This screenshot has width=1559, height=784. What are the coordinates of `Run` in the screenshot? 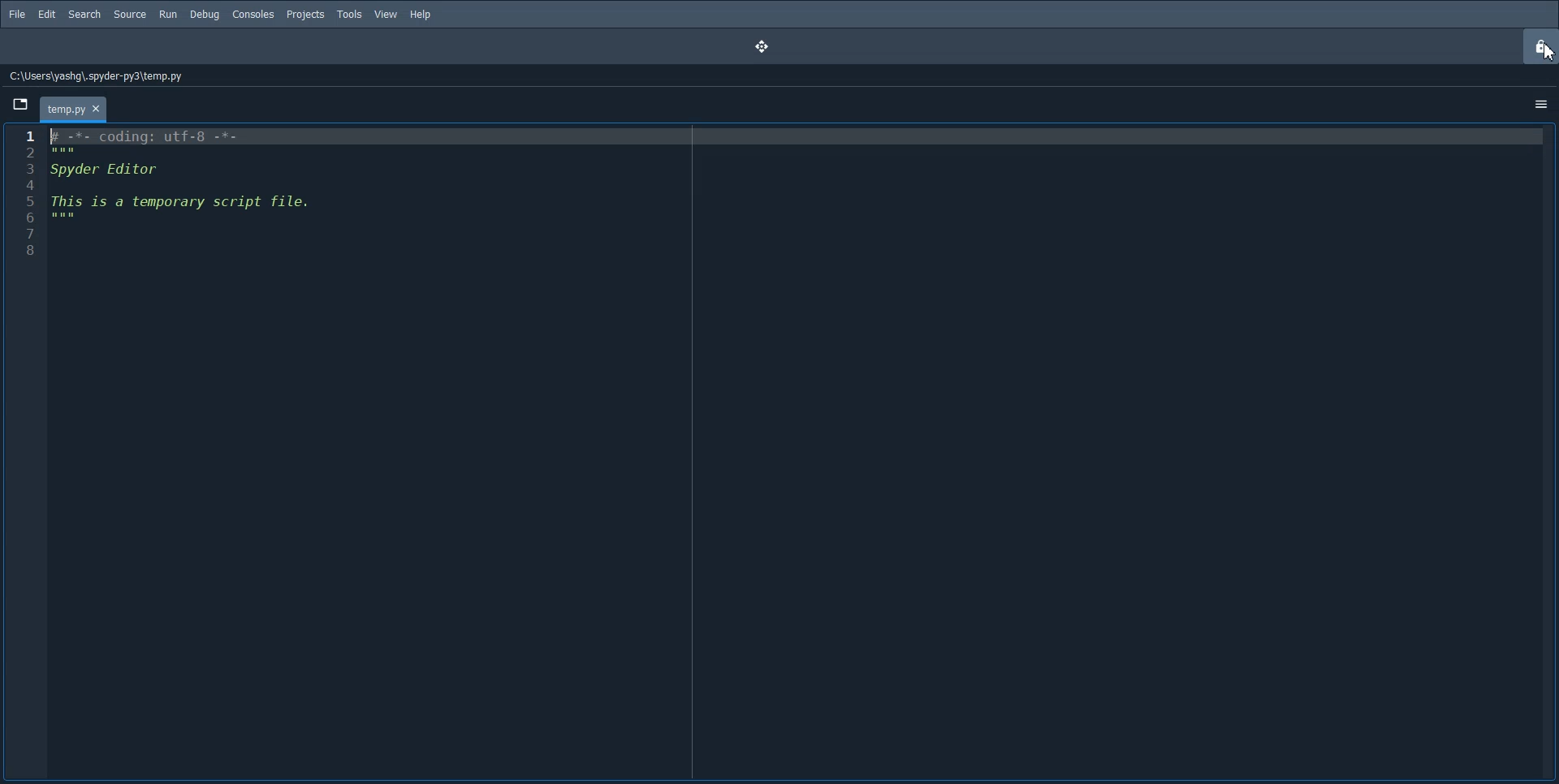 It's located at (168, 13).